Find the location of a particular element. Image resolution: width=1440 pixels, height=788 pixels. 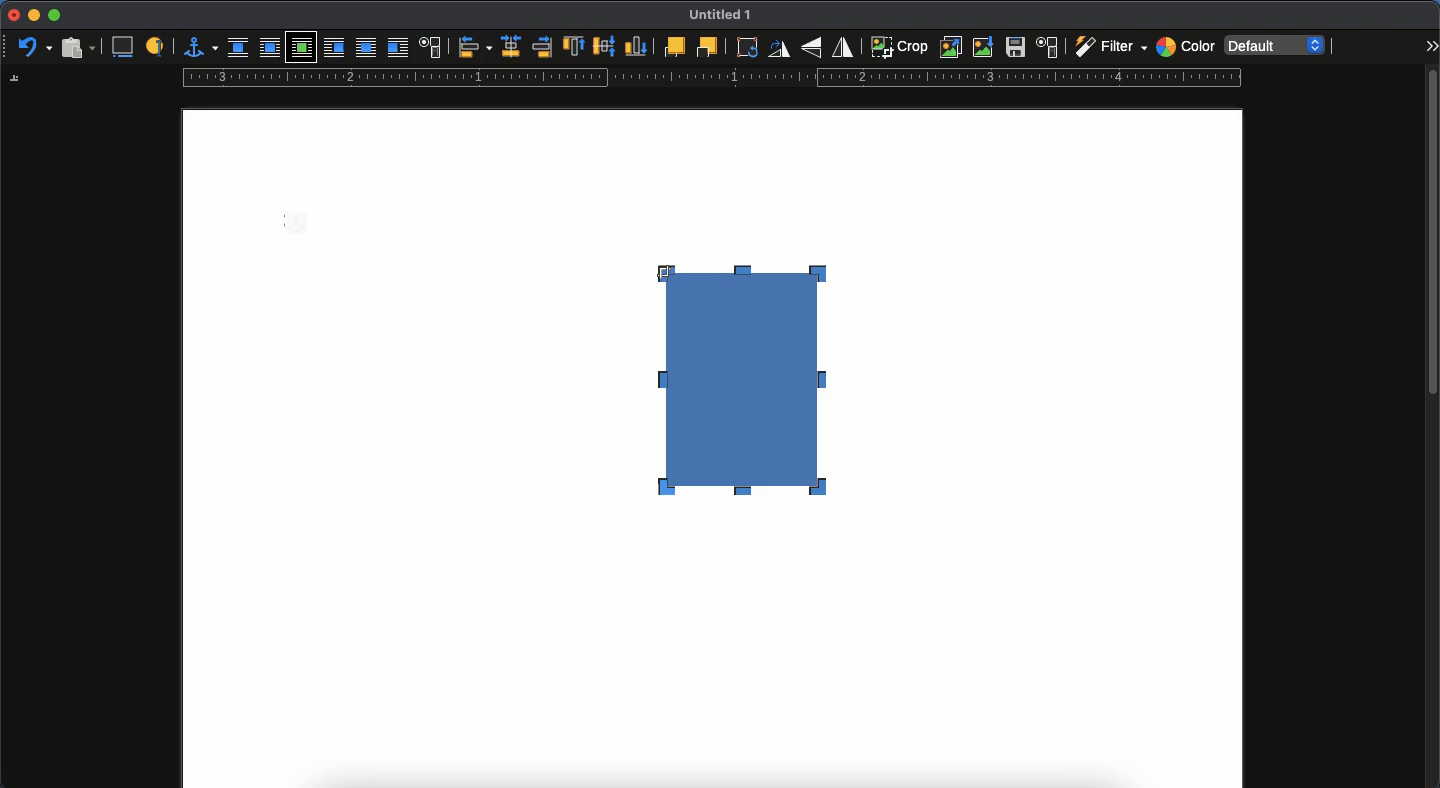

guide is located at coordinates (711, 80).